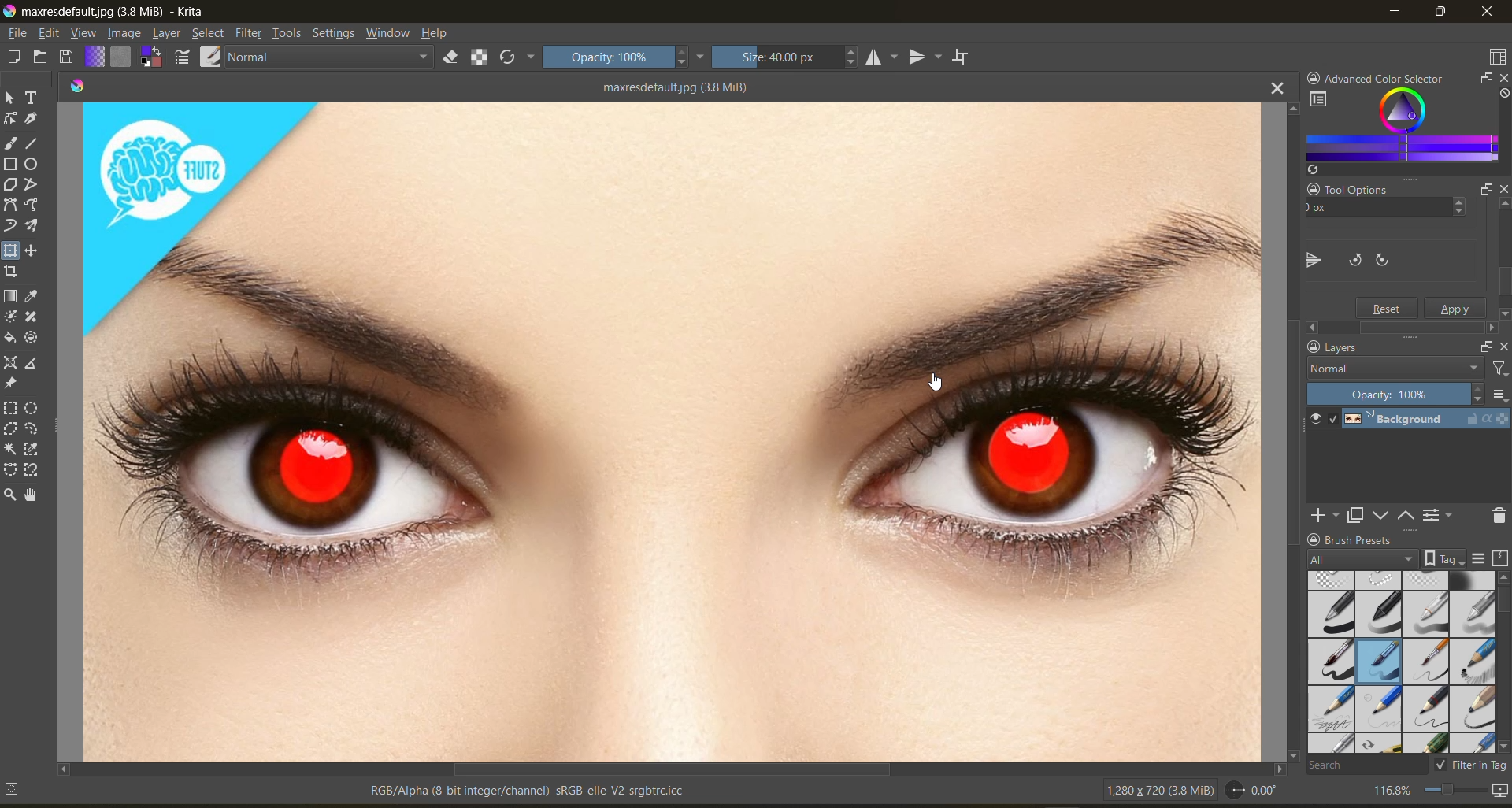 This screenshot has height=808, width=1512. I want to click on Brush Presets, so click(1392, 539).